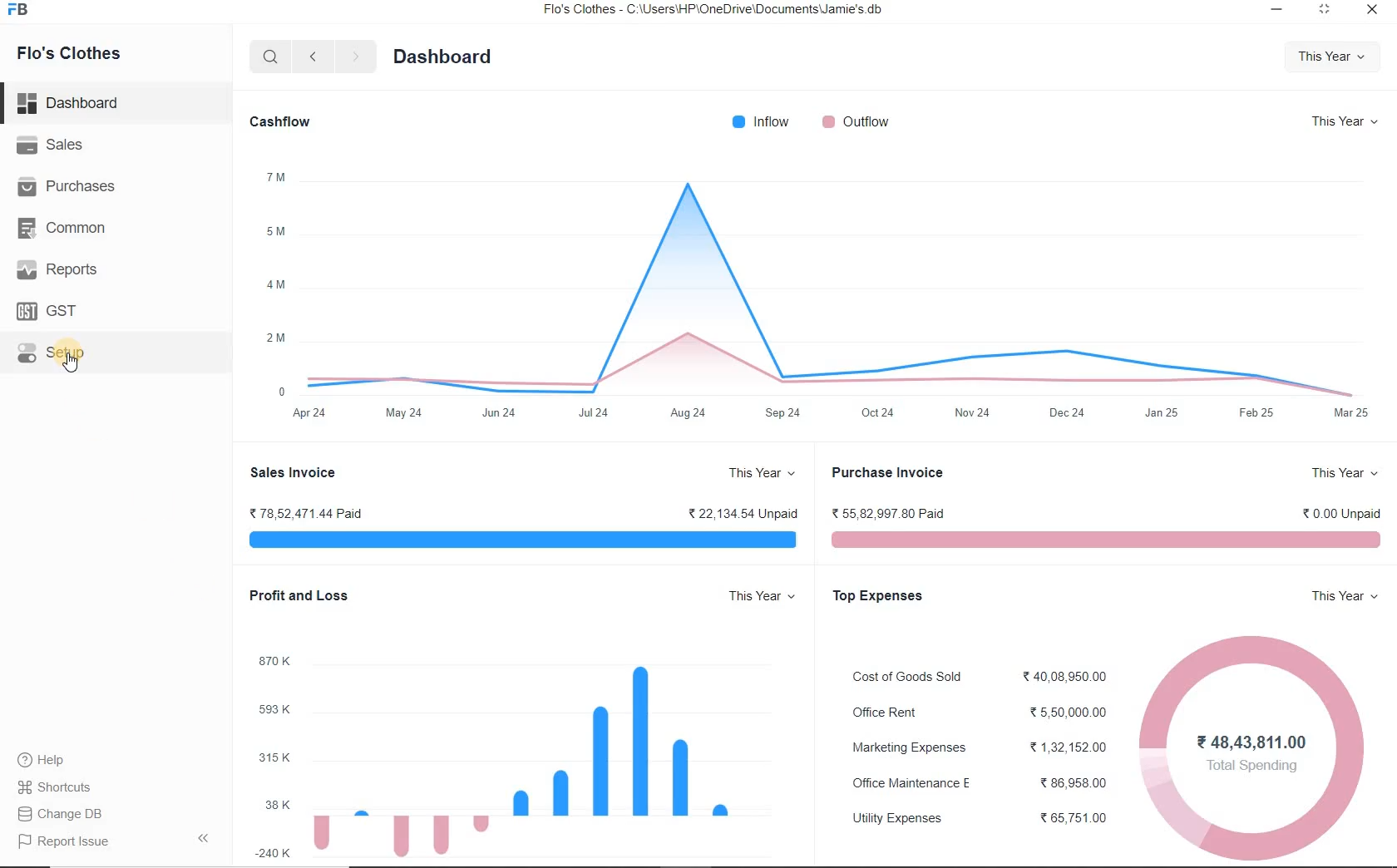 The width and height of the screenshot is (1397, 868). I want to click on Dec24, so click(1067, 414).